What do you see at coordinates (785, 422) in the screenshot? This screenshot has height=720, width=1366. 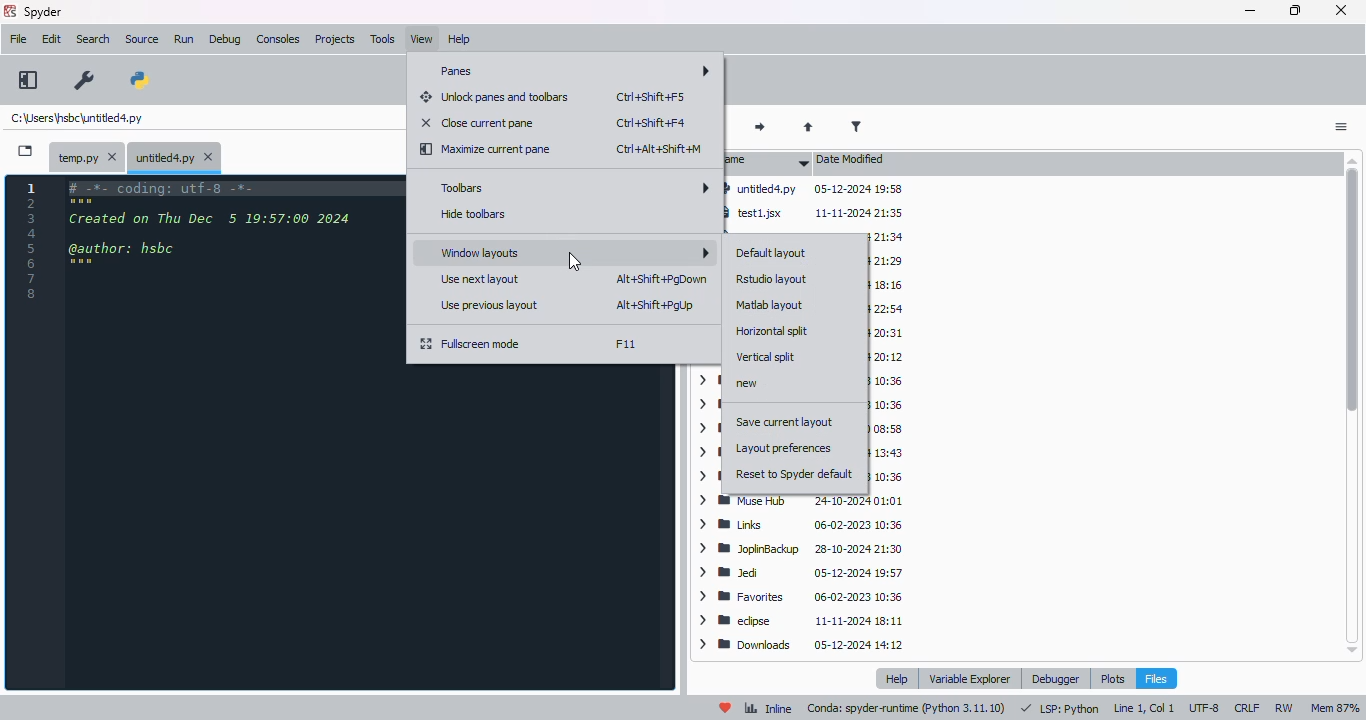 I see `save current layout` at bounding box center [785, 422].